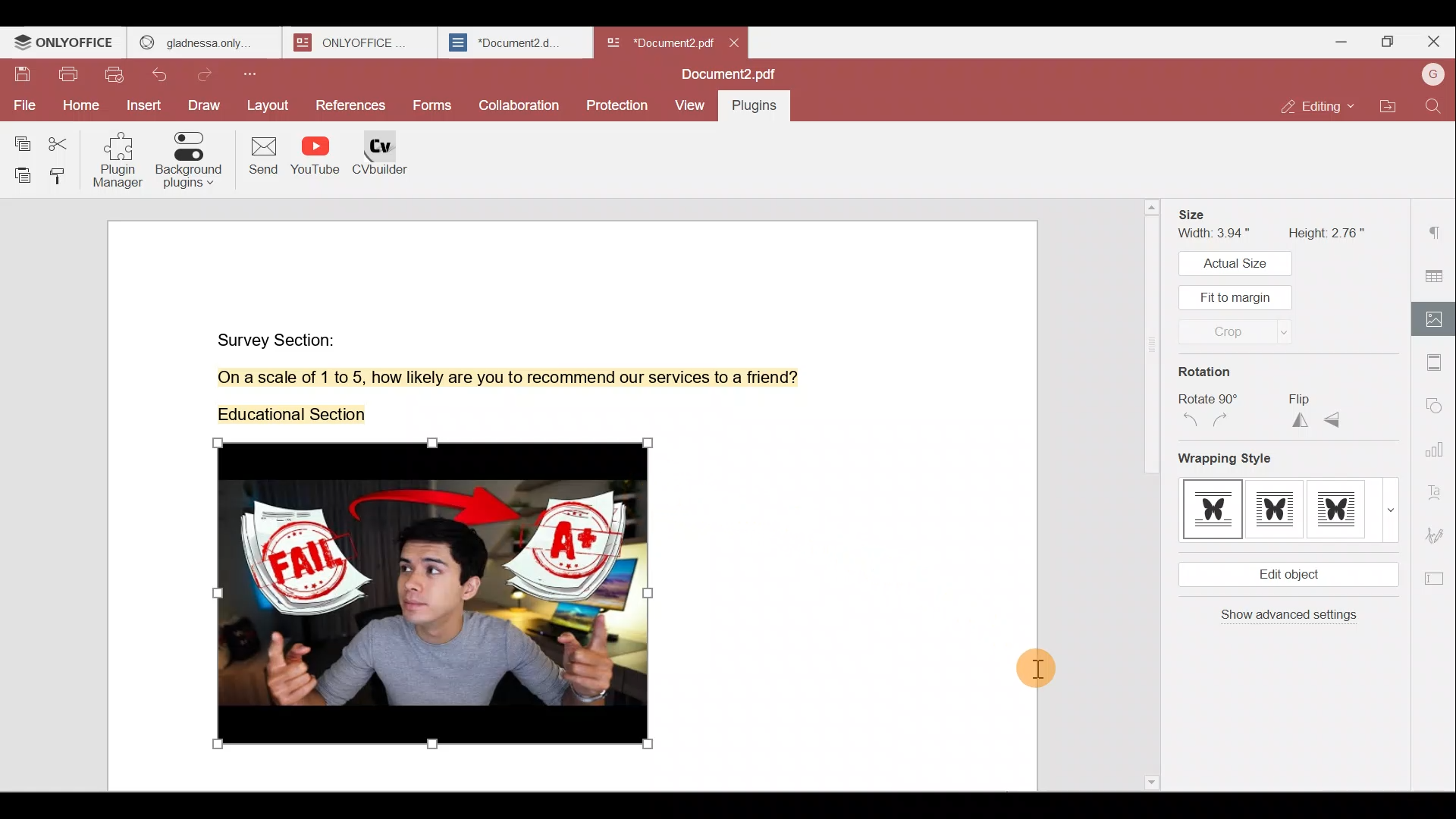 The width and height of the screenshot is (1456, 819). Describe the element at coordinates (1432, 76) in the screenshot. I see `Account name` at that location.